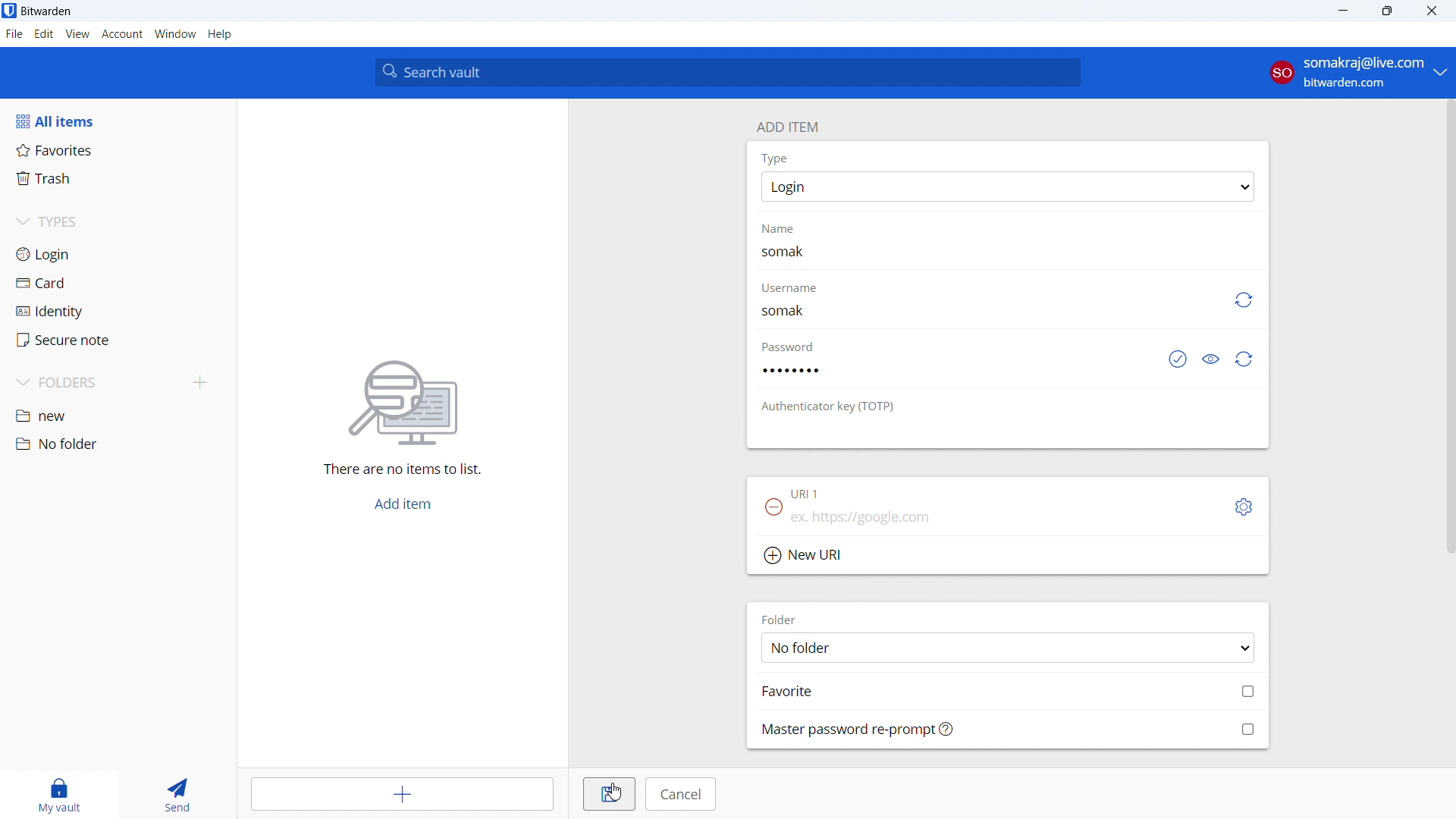 Image resolution: width=1456 pixels, height=819 pixels. What do you see at coordinates (808, 495) in the screenshot?
I see `URL 1` at bounding box center [808, 495].